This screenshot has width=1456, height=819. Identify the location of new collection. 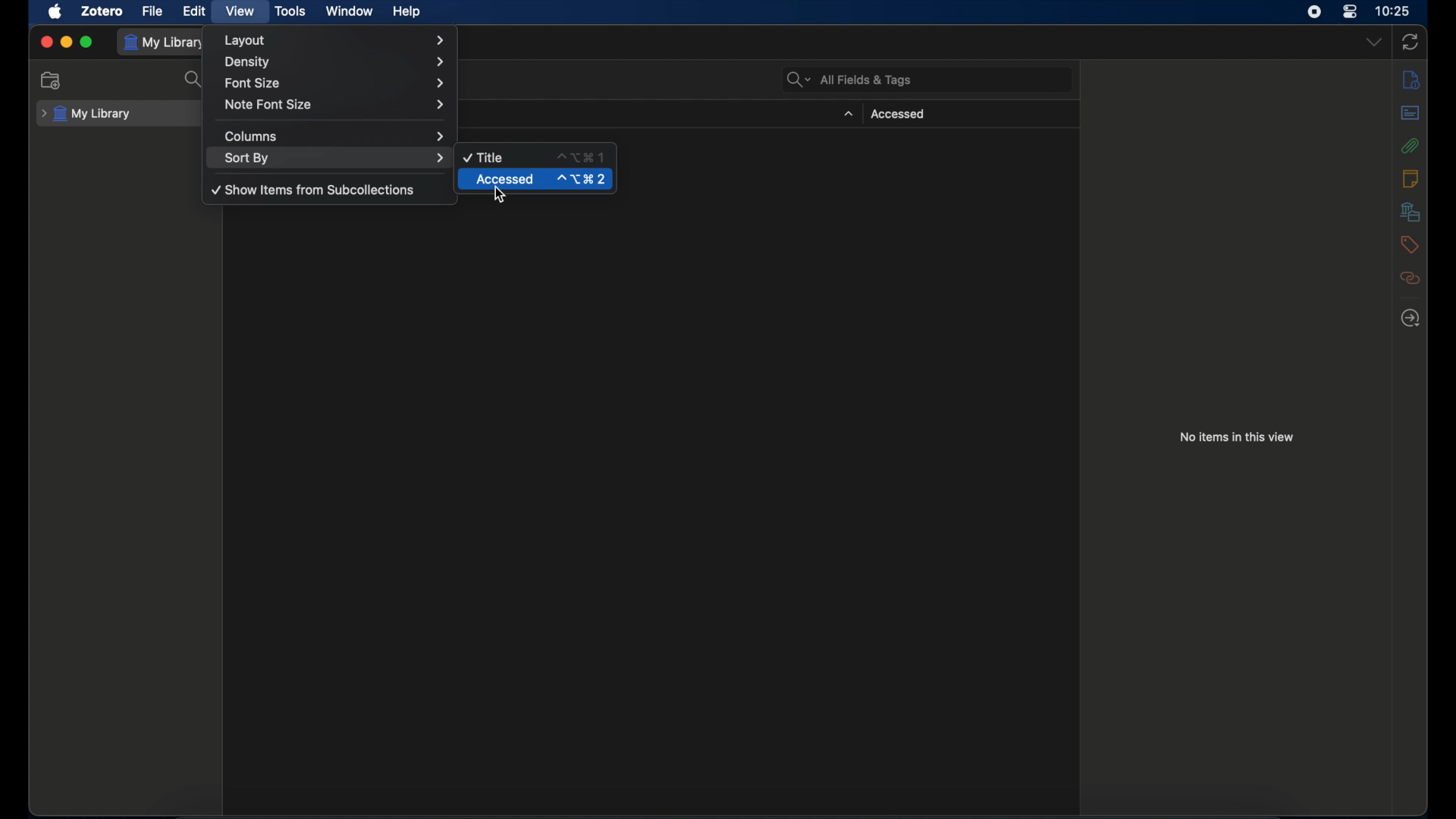
(53, 80).